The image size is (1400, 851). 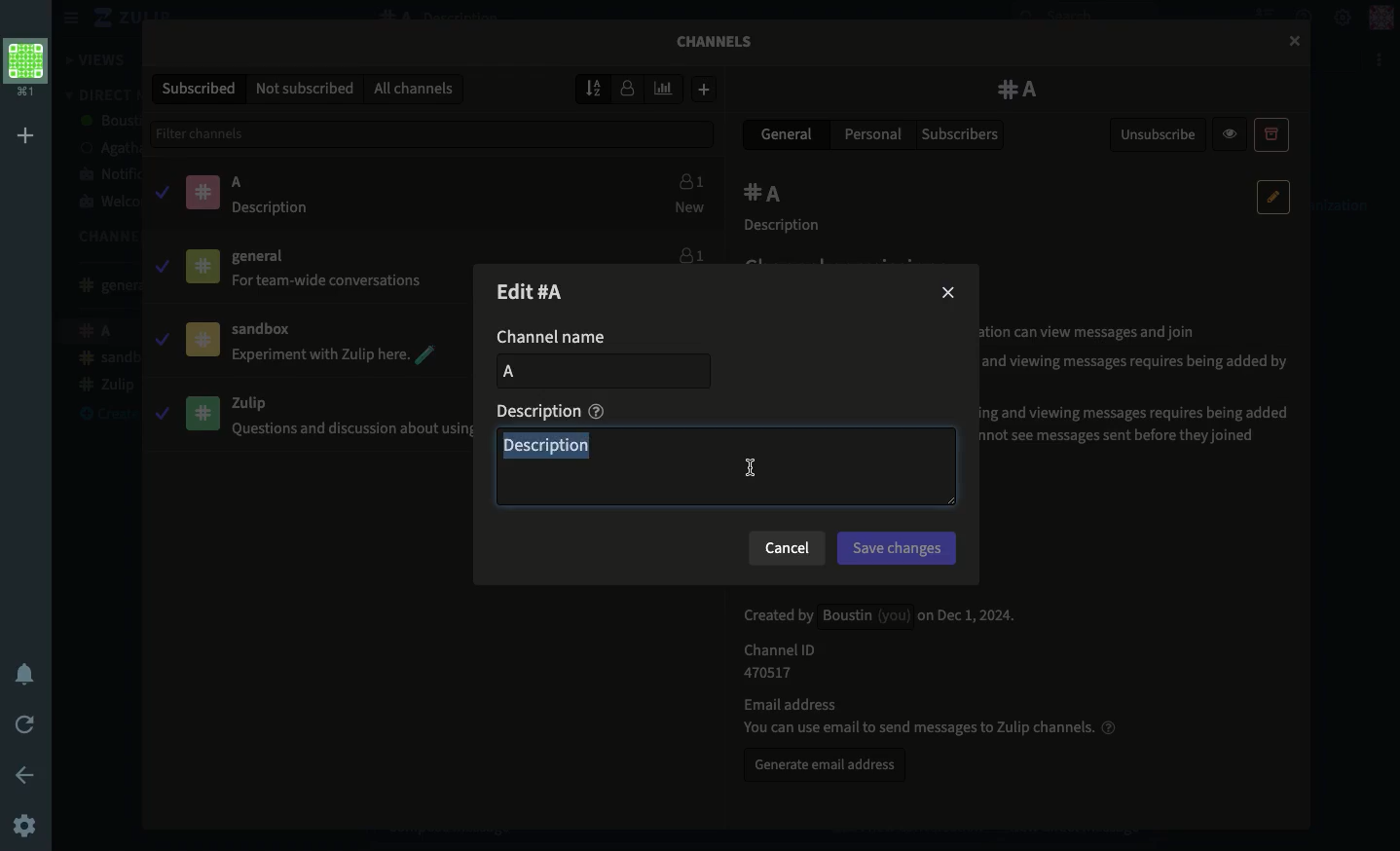 What do you see at coordinates (1109, 726) in the screenshot?
I see `help` at bounding box center [1109, 726].